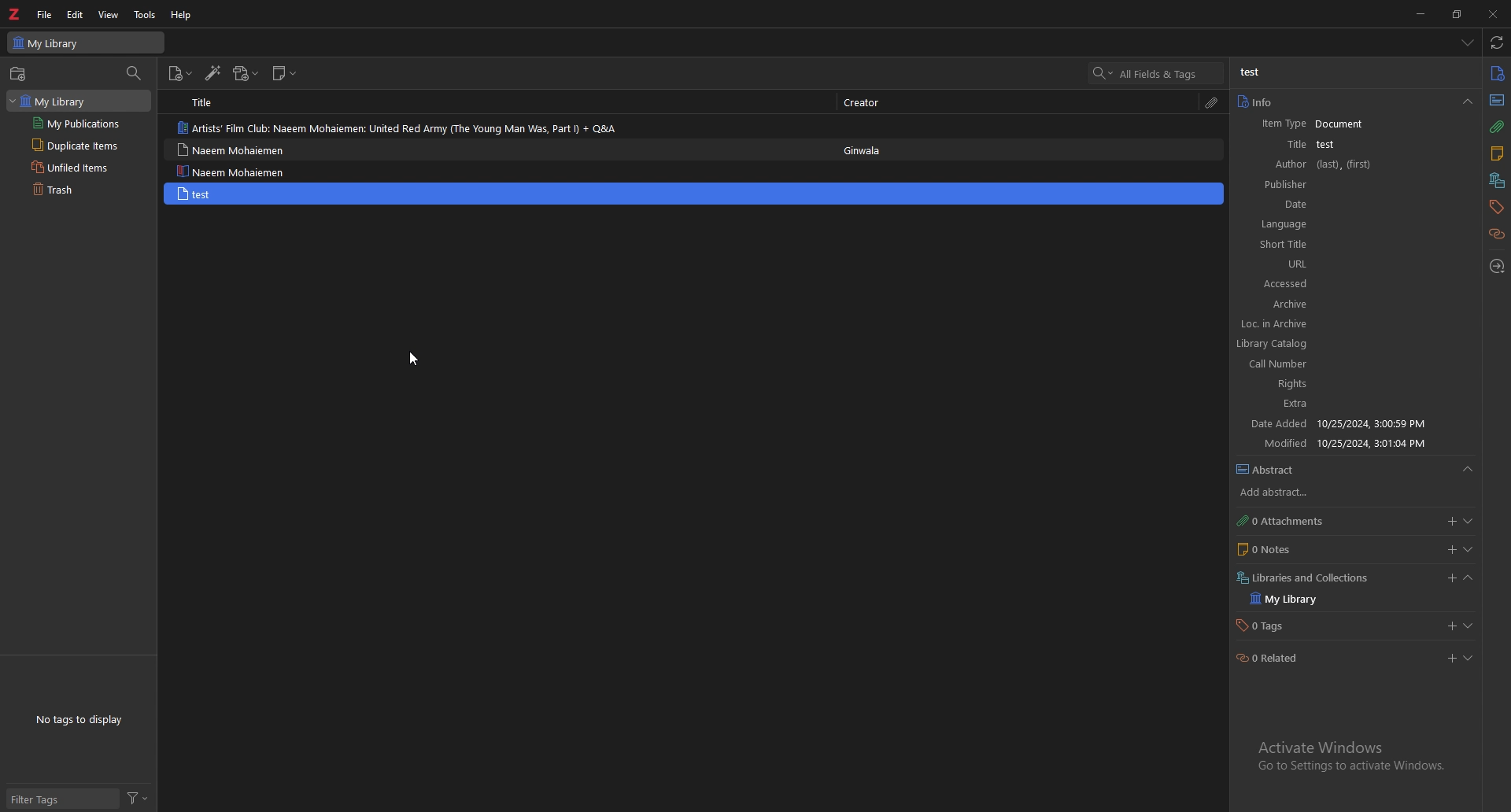 The height and width of the screenshot is (812, 1511). I want to click on 0Notes, so click(1272, 548).